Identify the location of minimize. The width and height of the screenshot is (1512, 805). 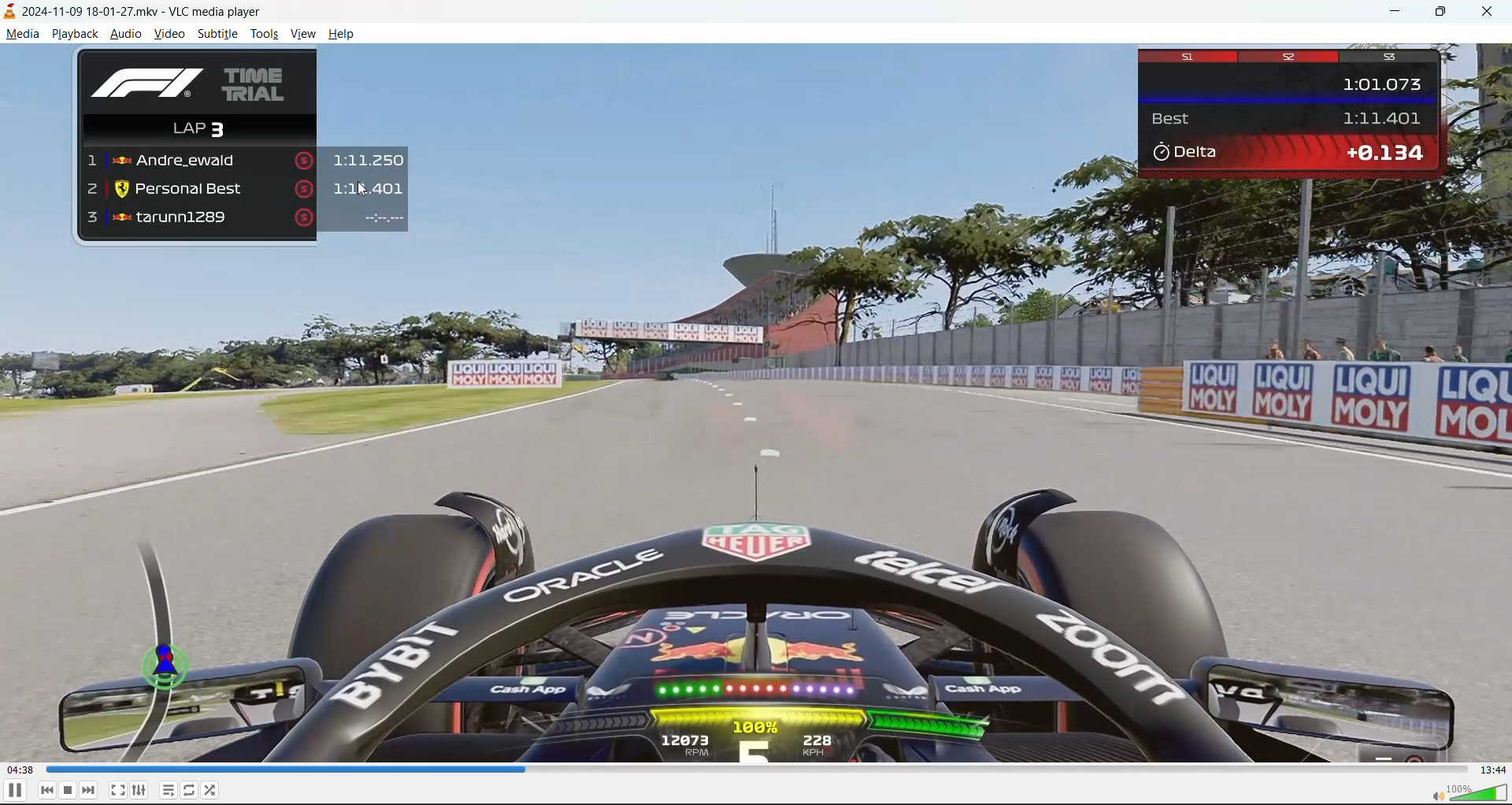
(1399, 13).